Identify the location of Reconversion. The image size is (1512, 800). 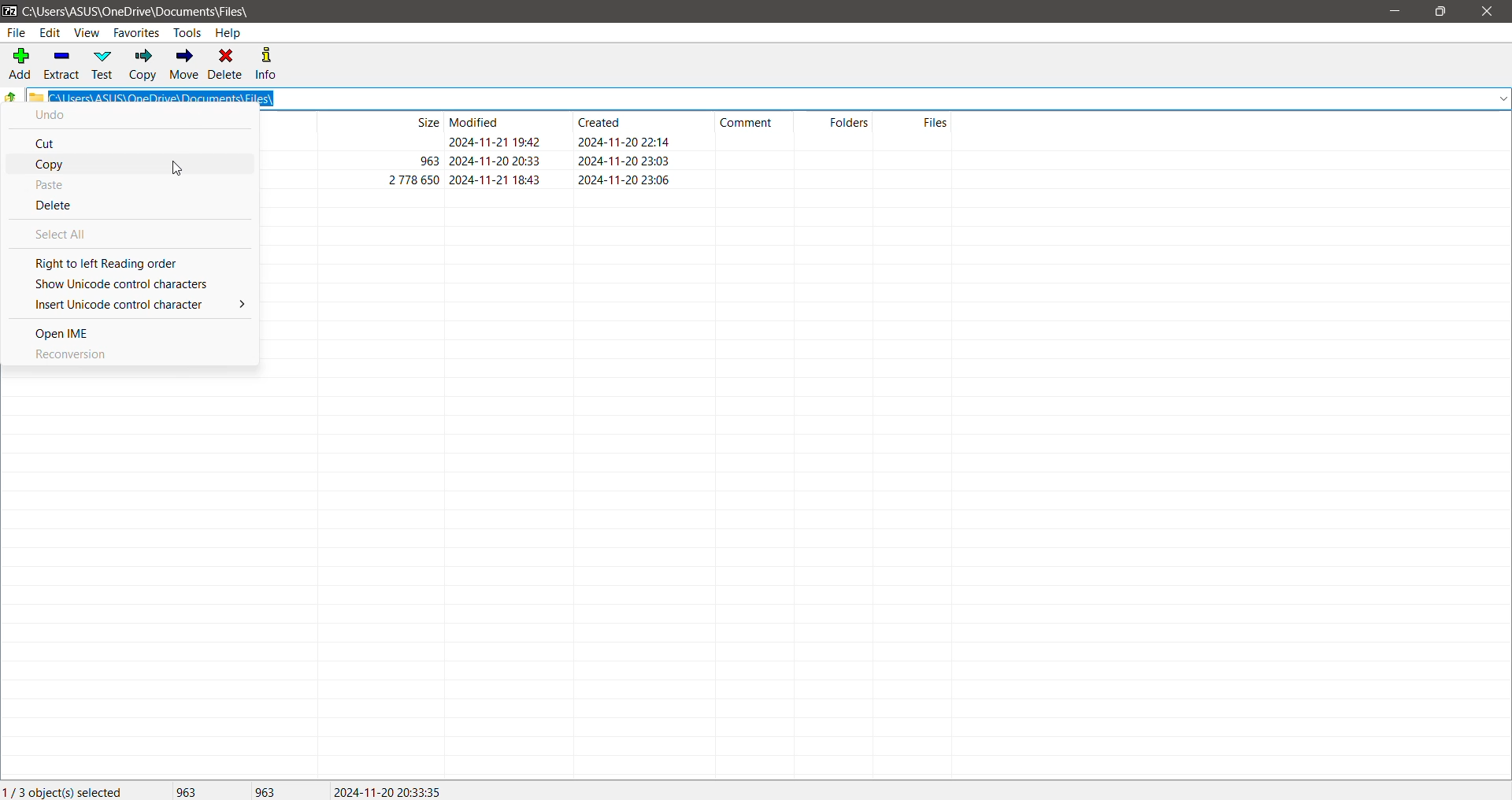
(72, 355).